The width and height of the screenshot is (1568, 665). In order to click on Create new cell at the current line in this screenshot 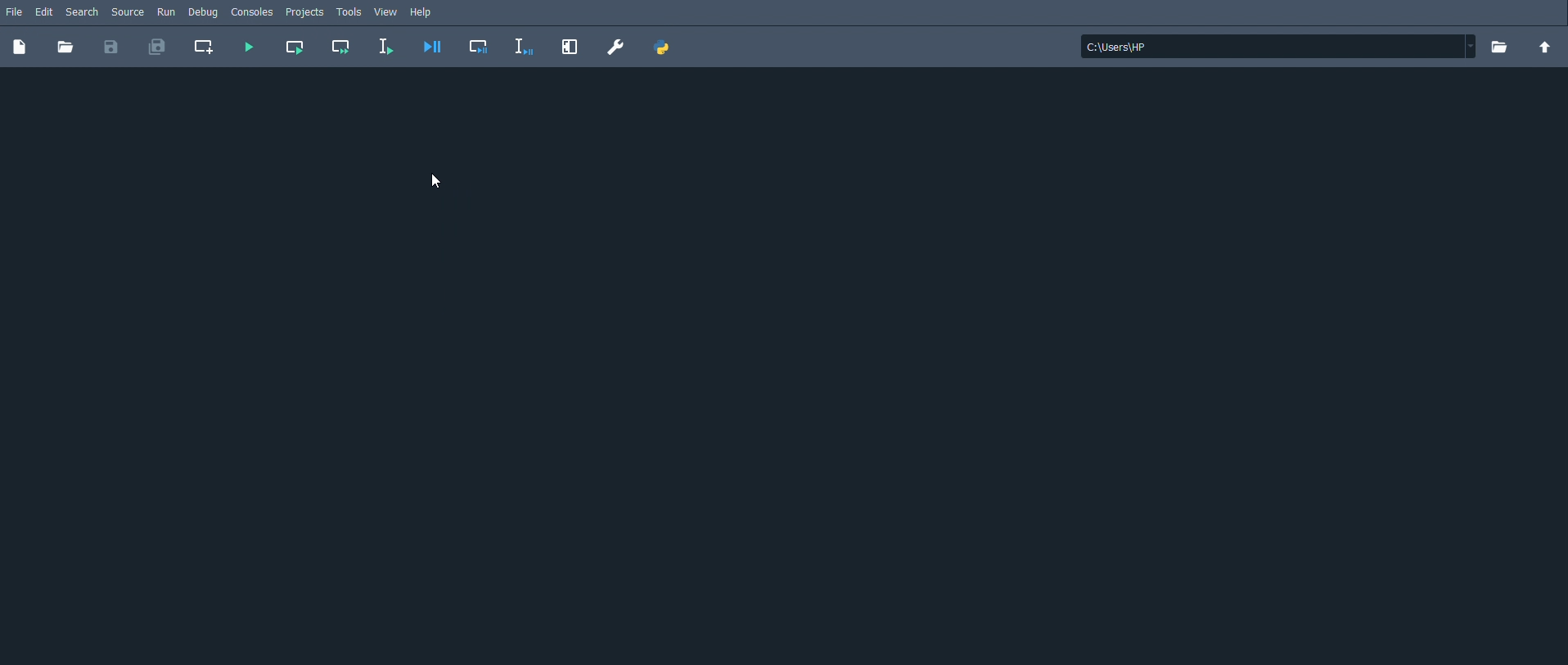, I will do `click(205, 46)`.